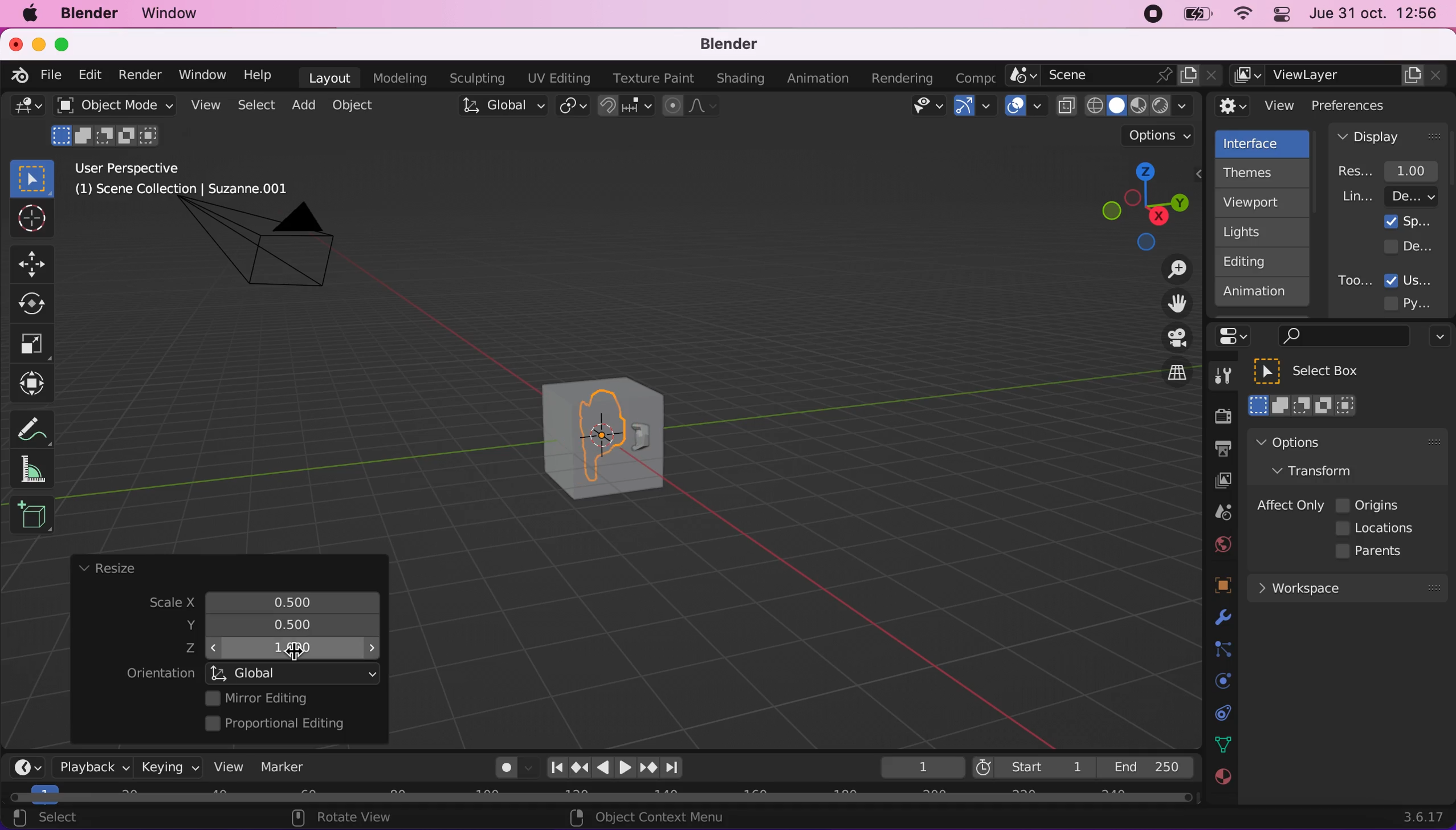 This screenshot has width=1456, height=830. I want to click on transform, so click(1324, 470).